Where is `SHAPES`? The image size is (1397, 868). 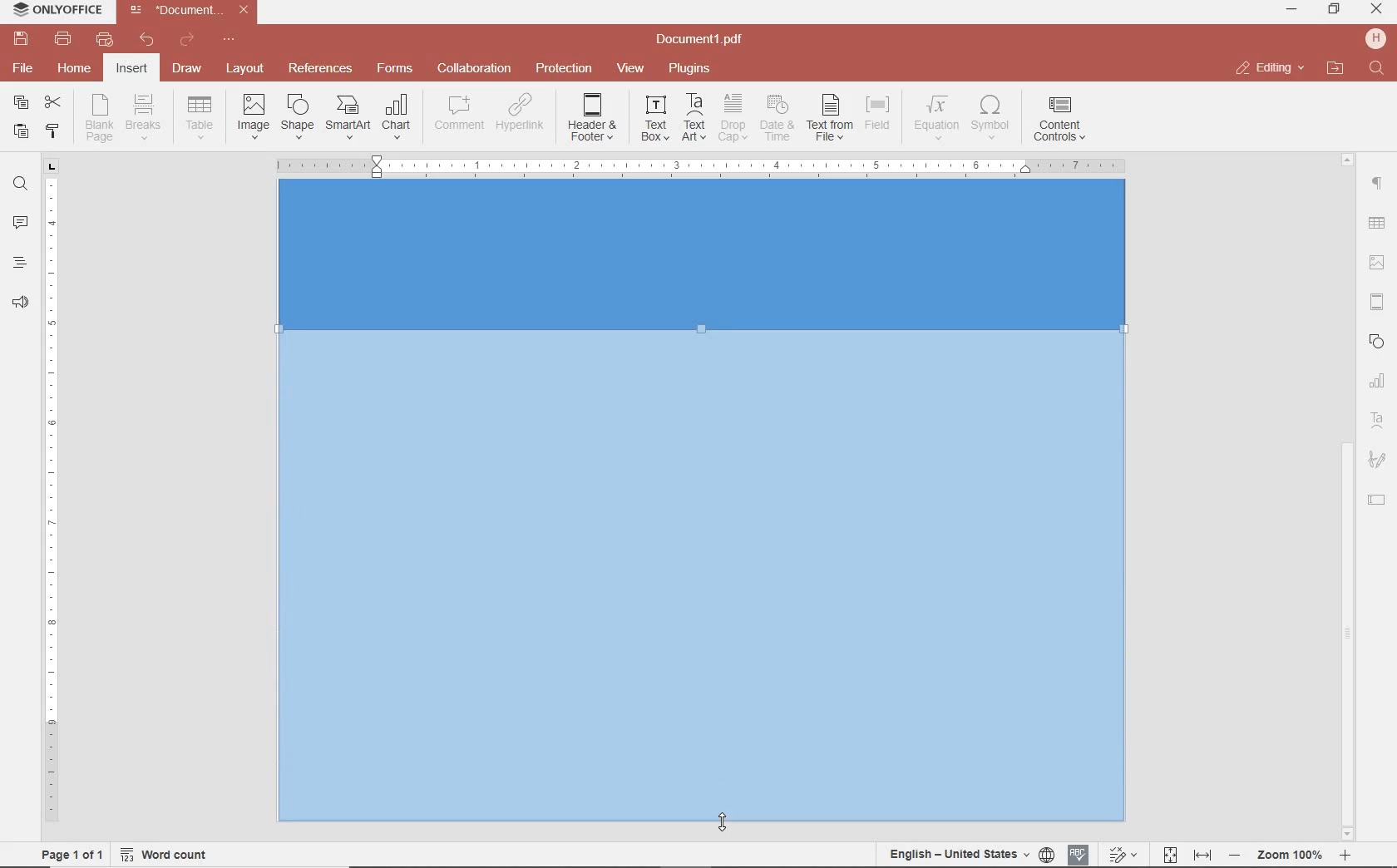
SHAPES is located at coordinates (1378, 343).